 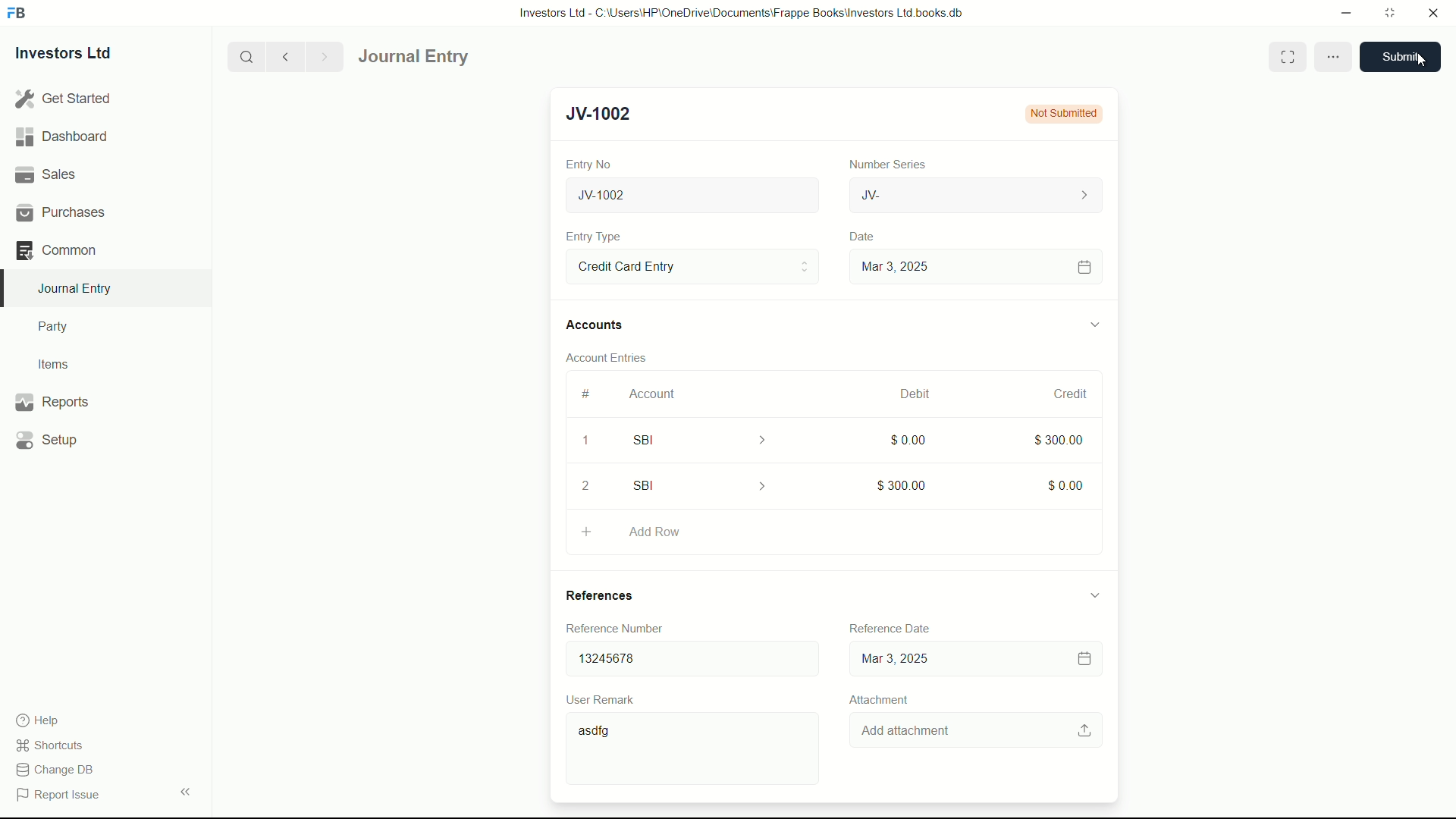 What do you see at coordinates (598, 325) in the screenshot?
I see `Accounts` at bounding box center [598, 325].